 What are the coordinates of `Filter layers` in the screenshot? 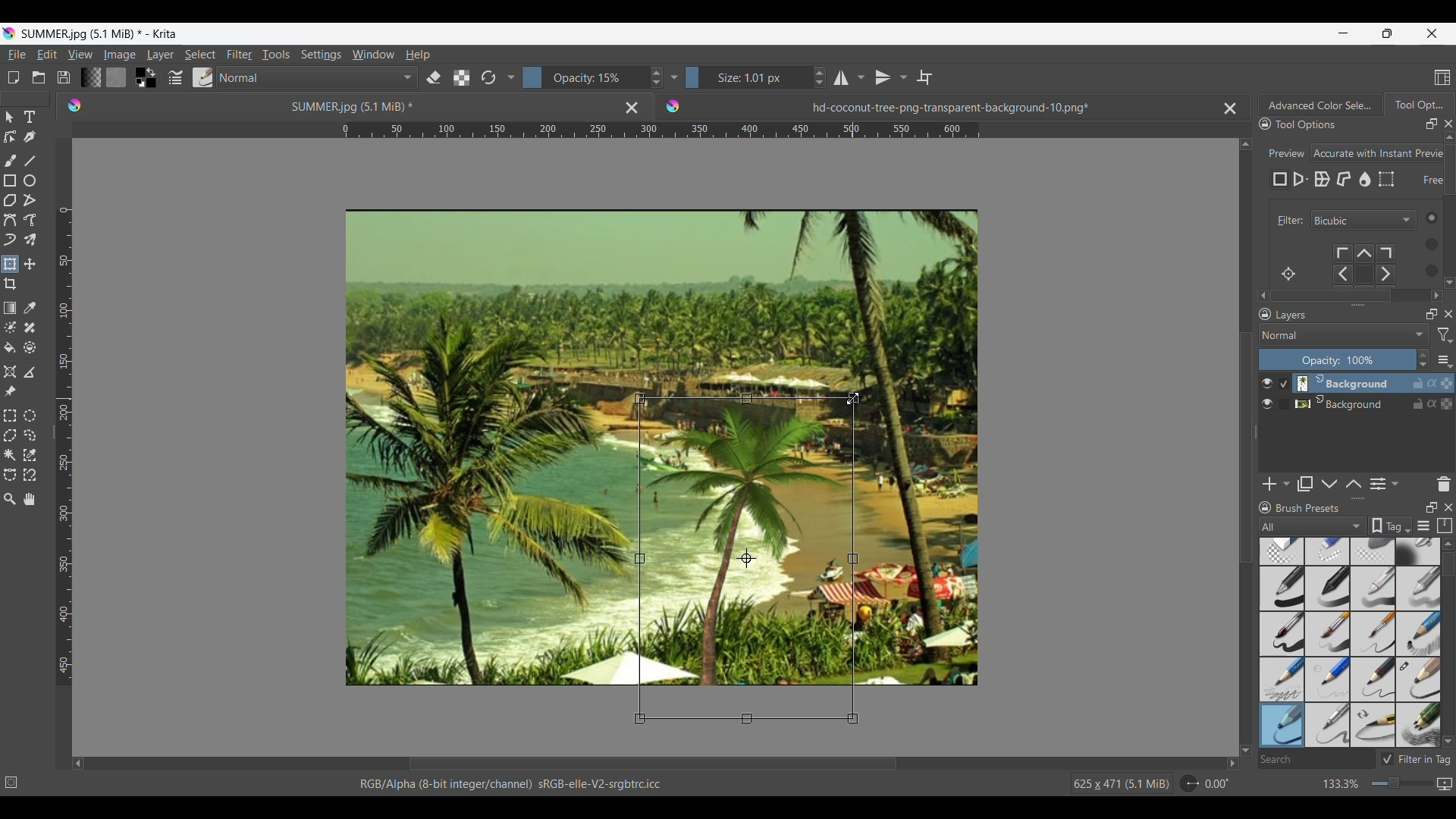 It's located at (1445, 335).